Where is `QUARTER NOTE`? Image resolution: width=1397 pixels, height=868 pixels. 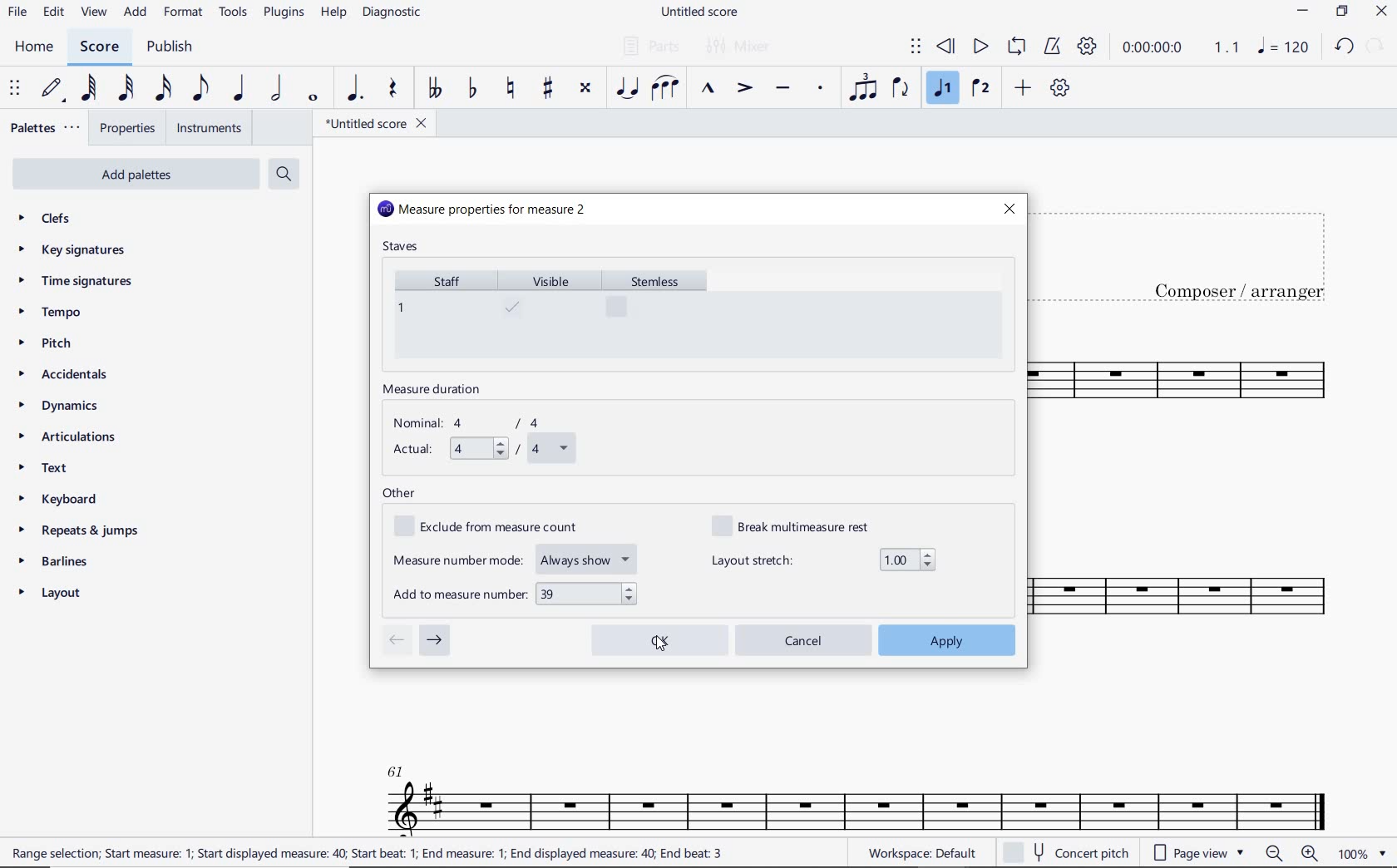
QUARTER NOTE is located at coordinates (239, 89).